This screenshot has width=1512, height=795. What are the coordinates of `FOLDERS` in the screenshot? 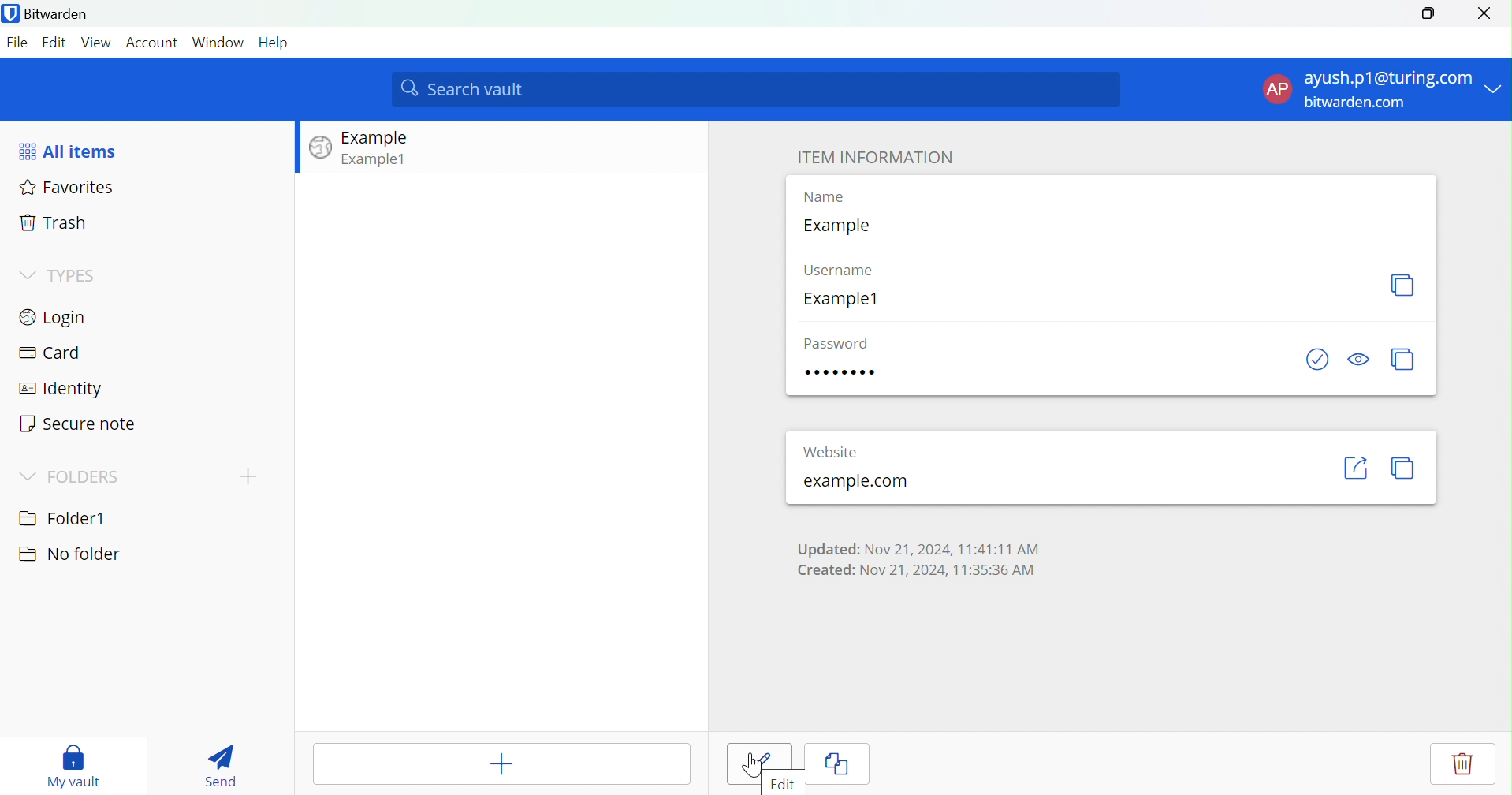 It's located at (84, 478).